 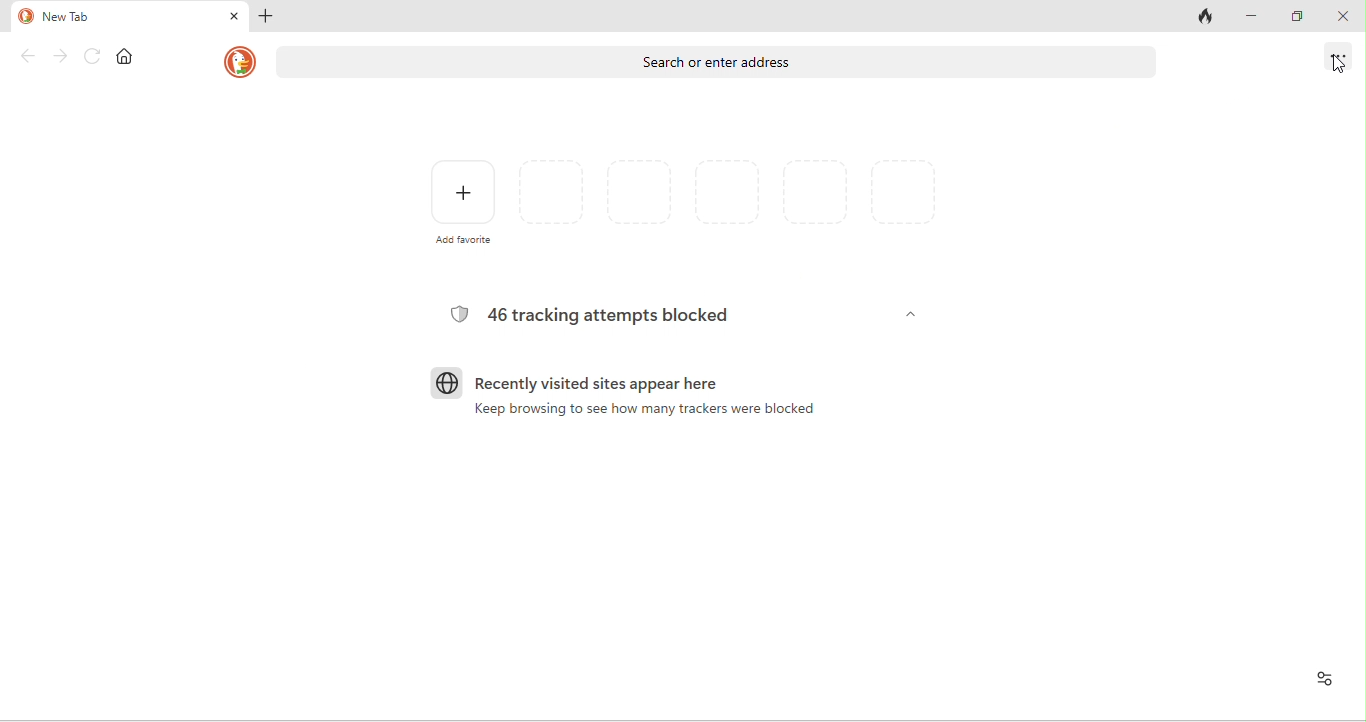 I want to click on close, so click(x=1345, y=20).